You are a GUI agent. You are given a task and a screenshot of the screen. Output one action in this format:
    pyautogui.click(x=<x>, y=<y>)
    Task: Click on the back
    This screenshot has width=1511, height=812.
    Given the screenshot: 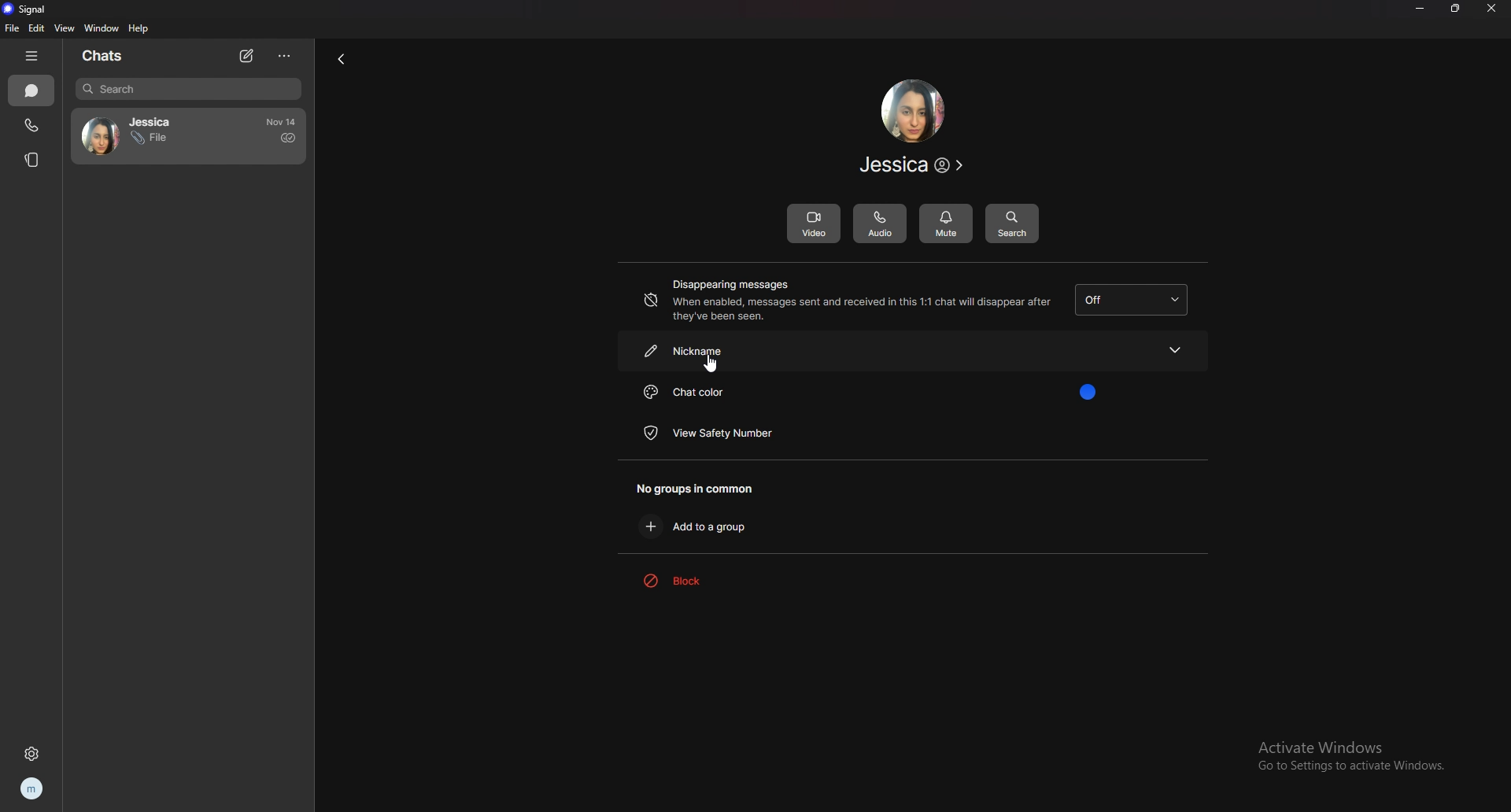 What is the action you would take?
    pyautogui.click(x=341, y=58)
    